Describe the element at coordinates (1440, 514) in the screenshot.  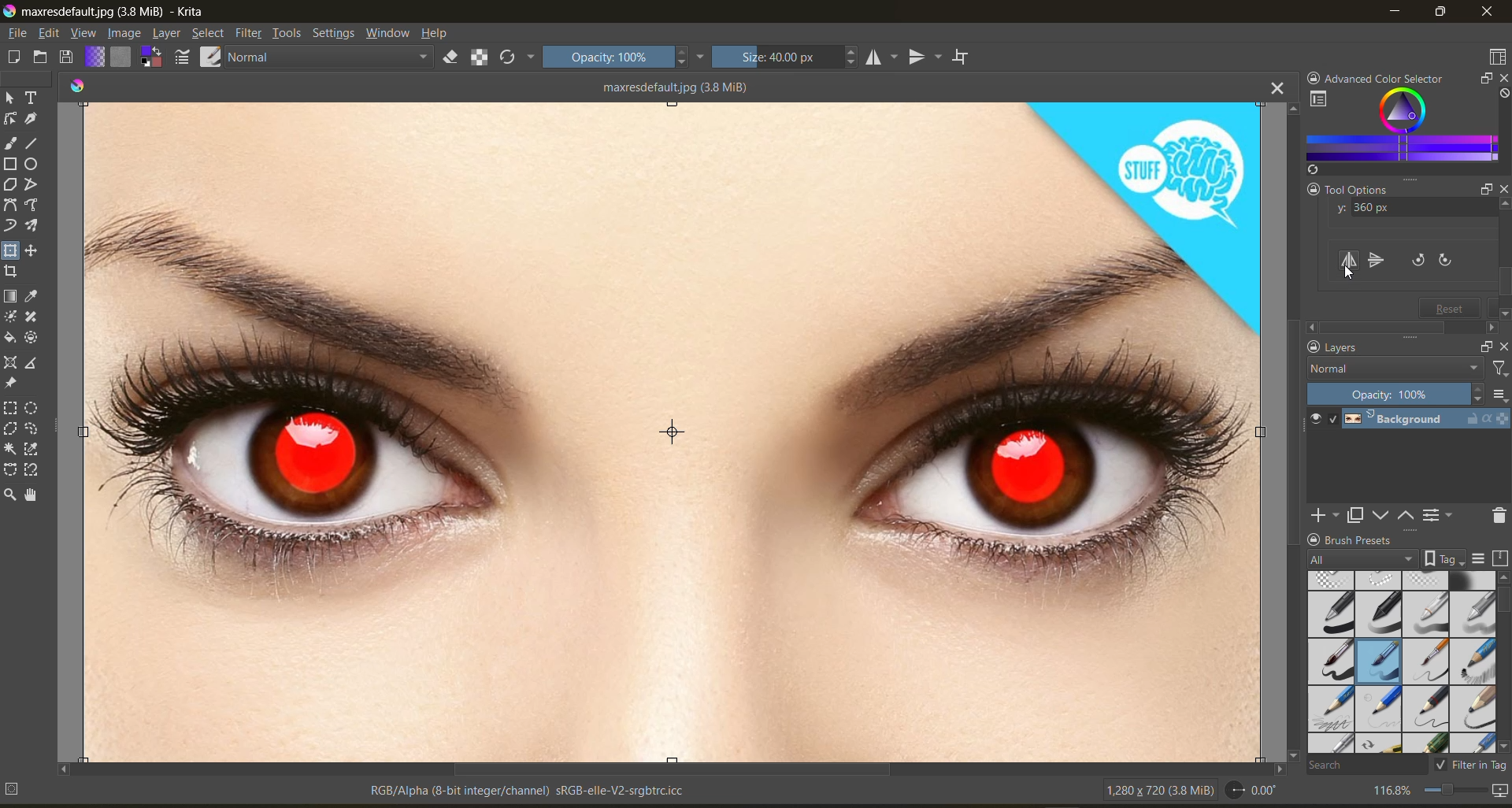
I see `view or change the layer properties` at that location.